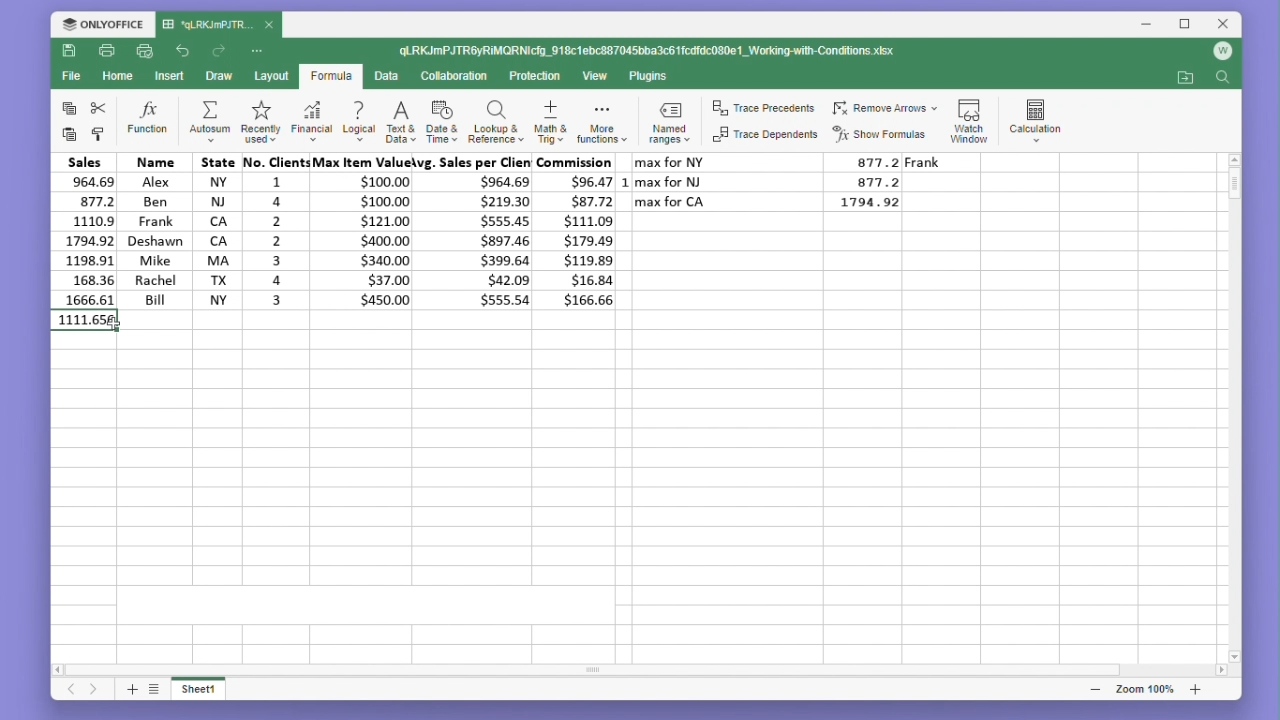 The width and height of the screenshot is (1280, 720). What do you see at coordinates (159, 690) in the screenshot?
I see `List of sheets` at bounding box center [159, 690].